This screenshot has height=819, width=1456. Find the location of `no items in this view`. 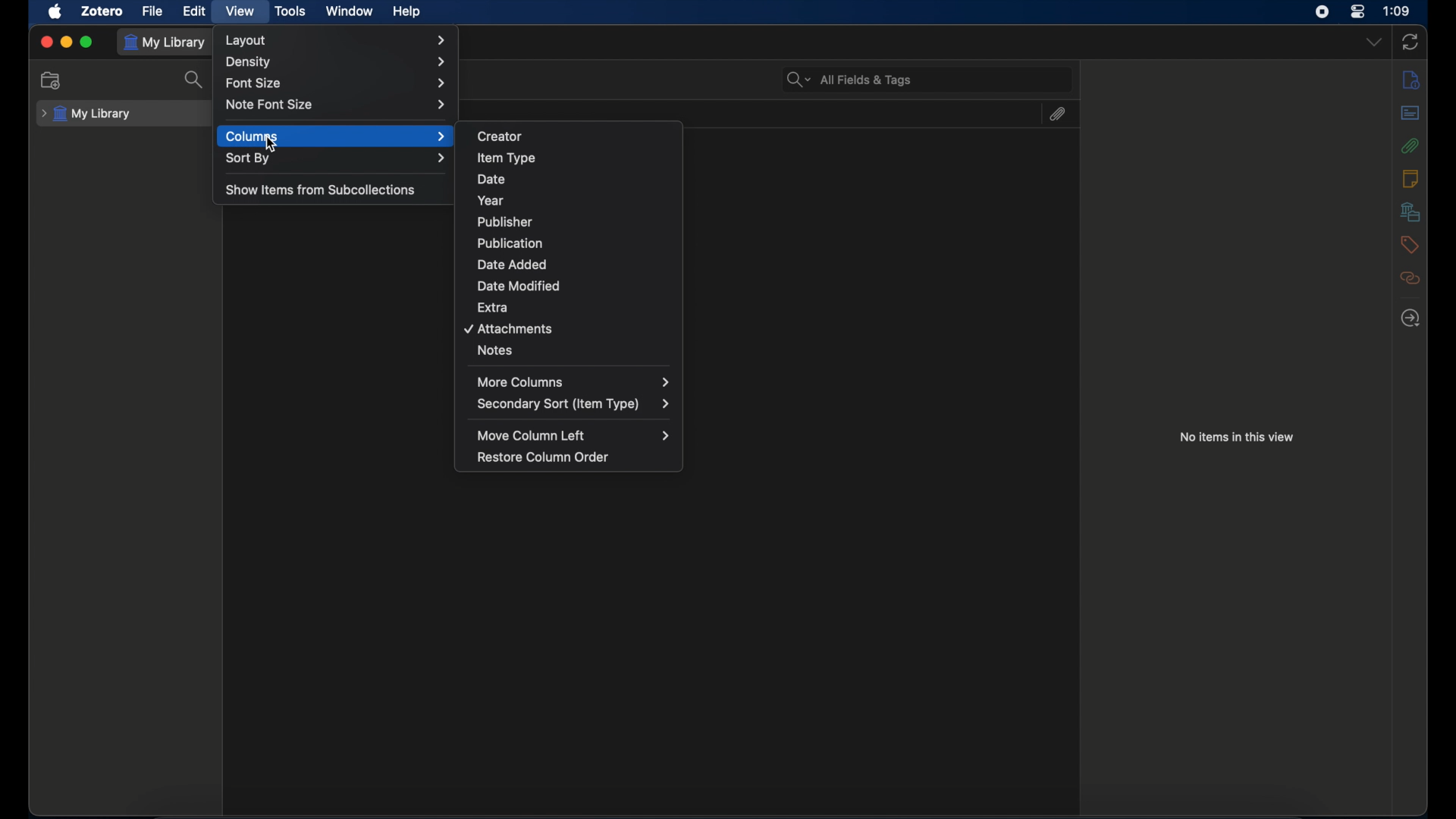

no items in this view is located at coordinates (1238, 437).